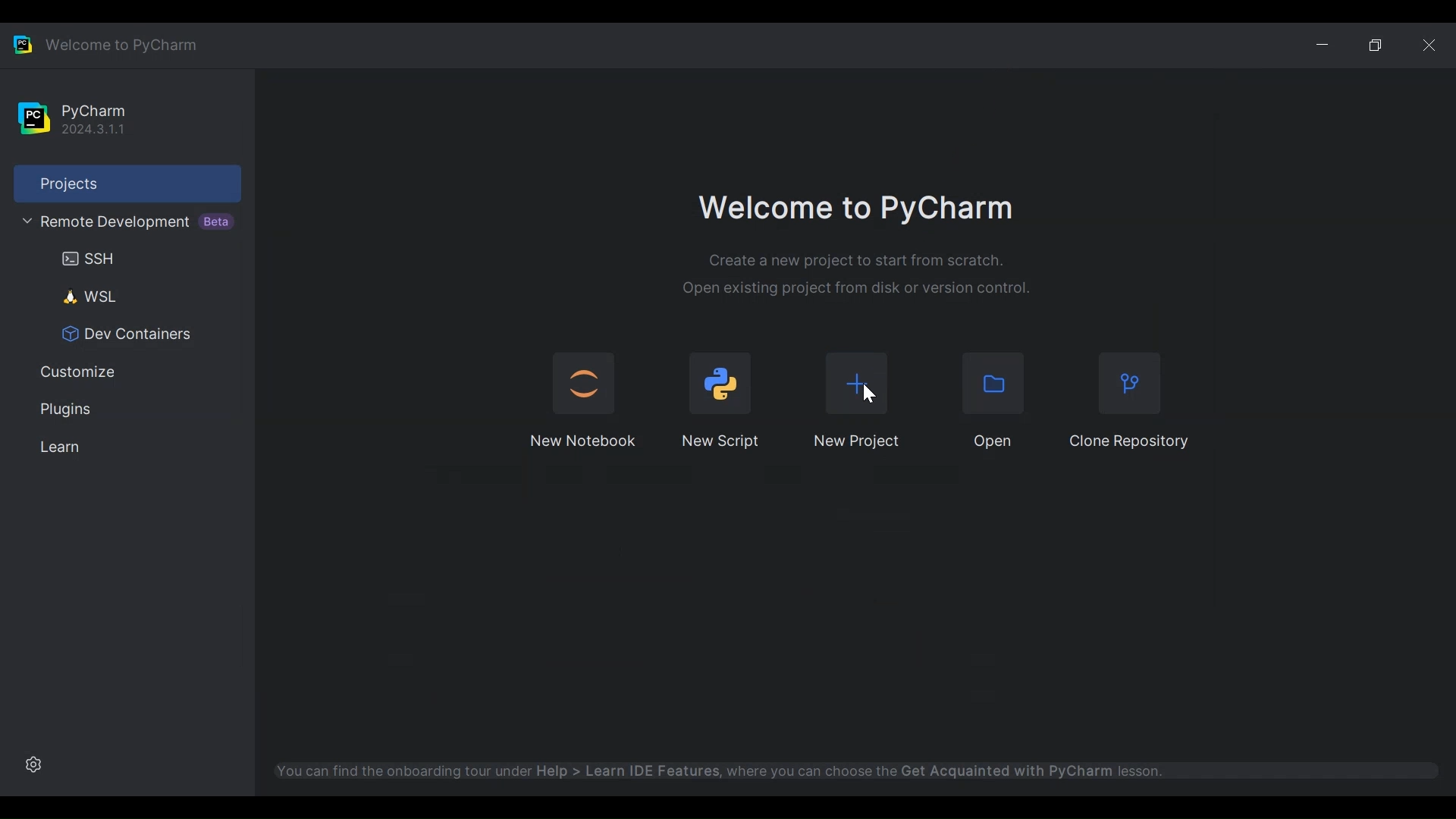 The image size is (1456, 819). What do you see at coordinates (582, 382) in the screenshot?
I see `New Notebook` at bounding box center [582, 382].